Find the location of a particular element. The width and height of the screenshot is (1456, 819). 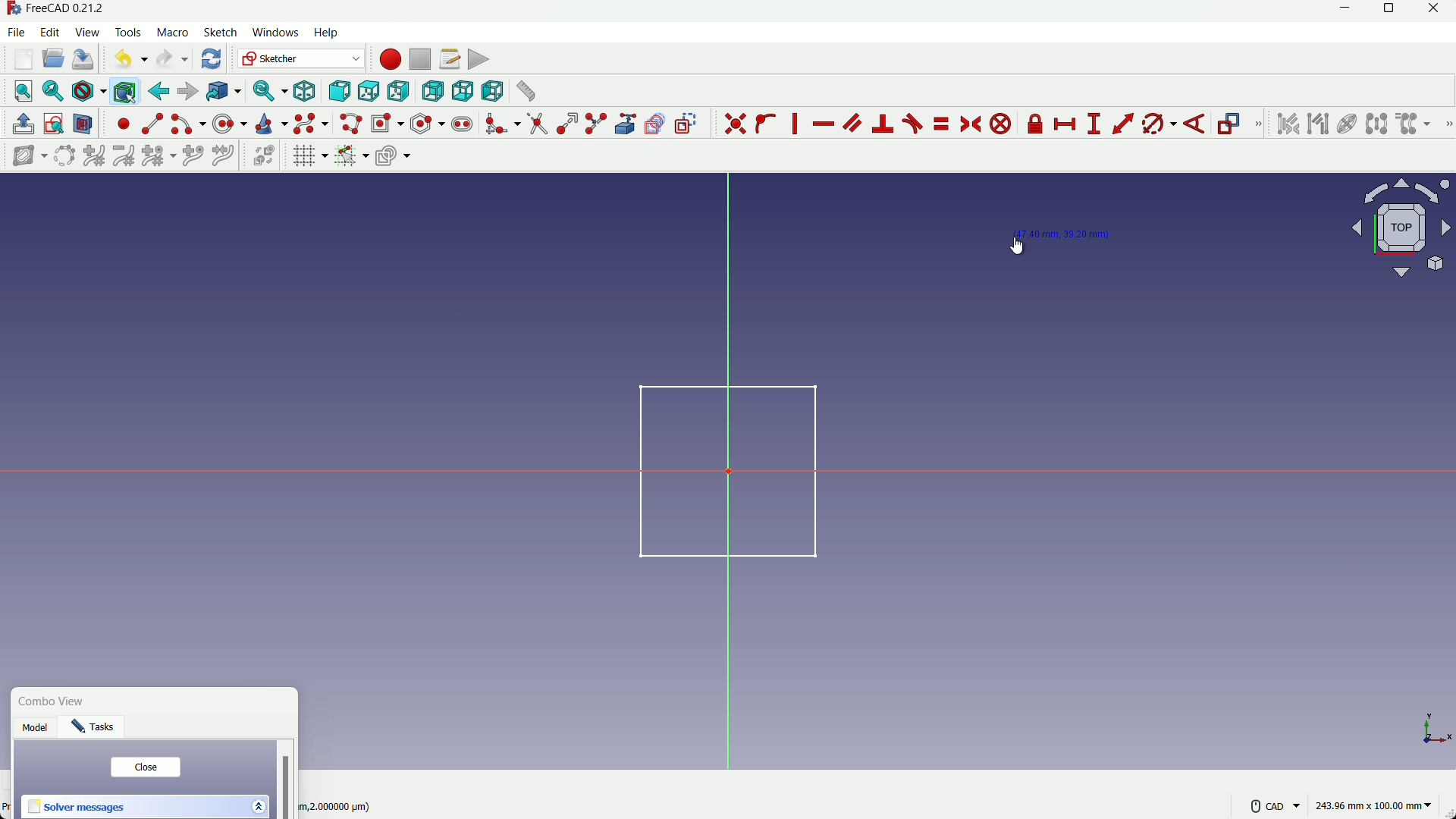

constraint point on to object is located at coordinates (767, 124).